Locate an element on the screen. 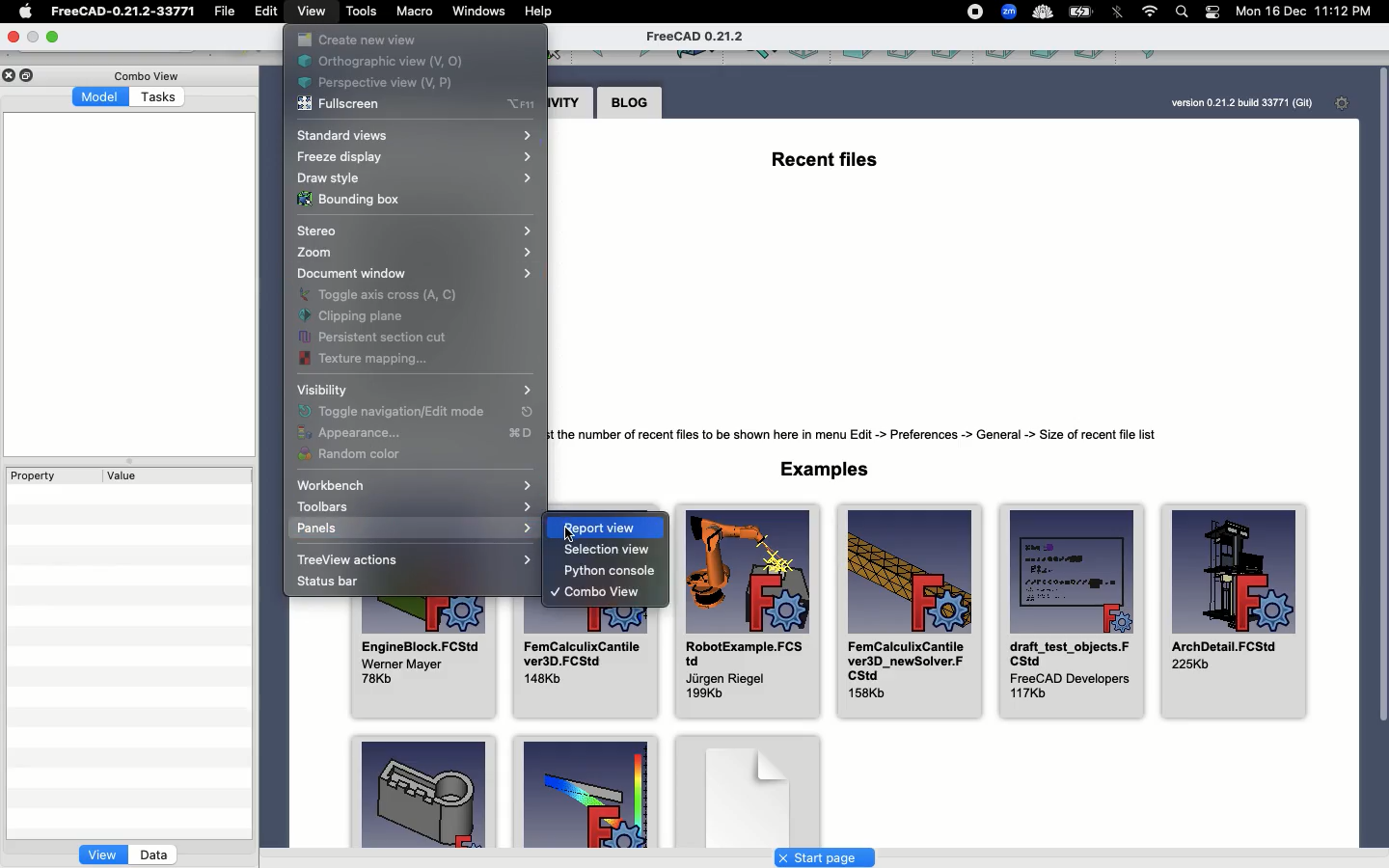  FemCalculixCantilever3D_newSolver.Fcstd 158Kb is located at coordinates (912, 612).